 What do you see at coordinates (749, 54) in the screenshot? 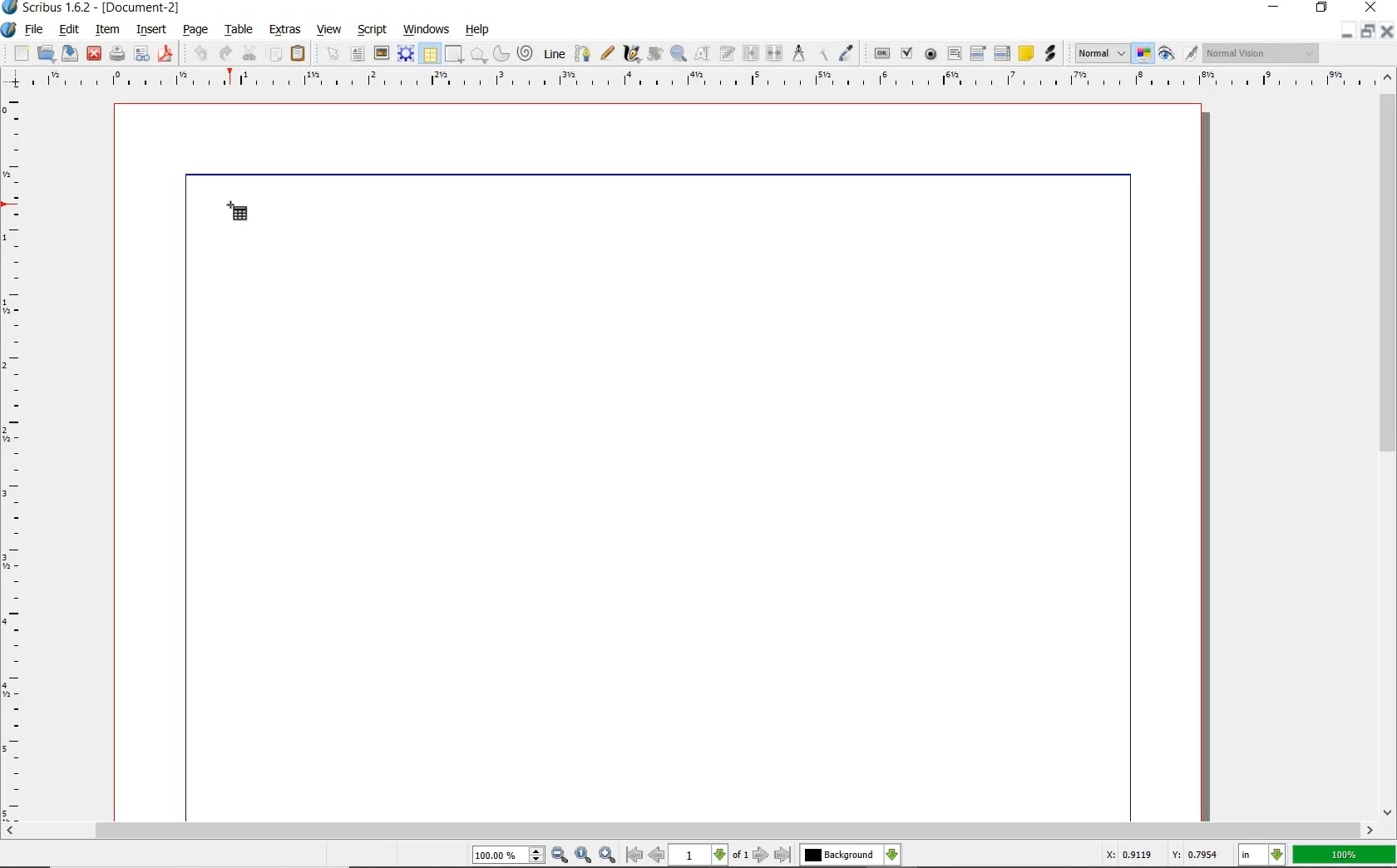
I see `link text frame` at bounding box center [749, 54].